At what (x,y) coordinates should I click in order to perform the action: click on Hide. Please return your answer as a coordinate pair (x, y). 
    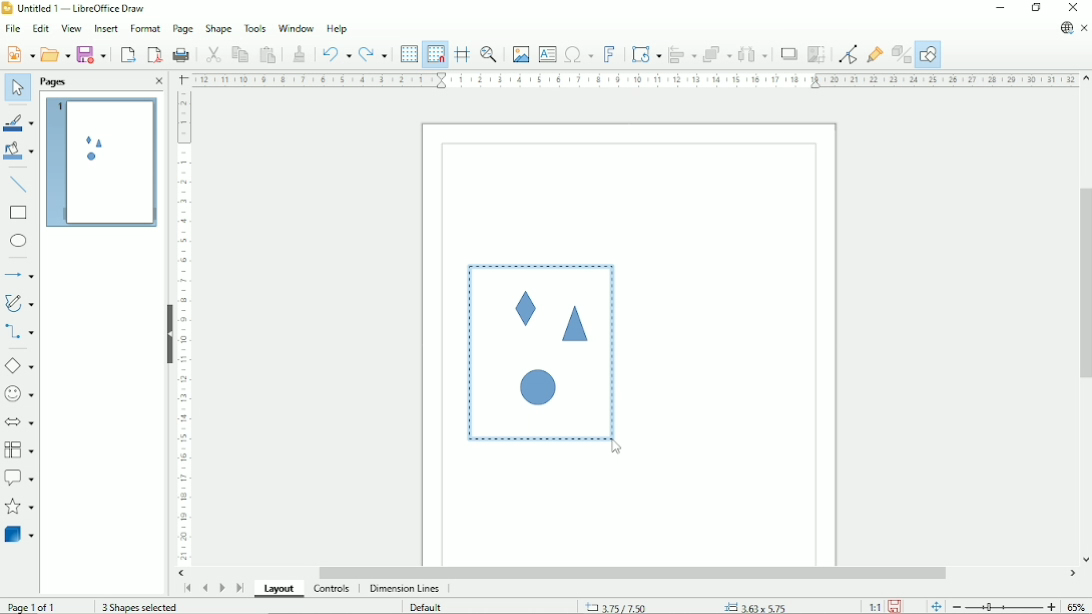
    Looking at the image, I should click on (169, 334).